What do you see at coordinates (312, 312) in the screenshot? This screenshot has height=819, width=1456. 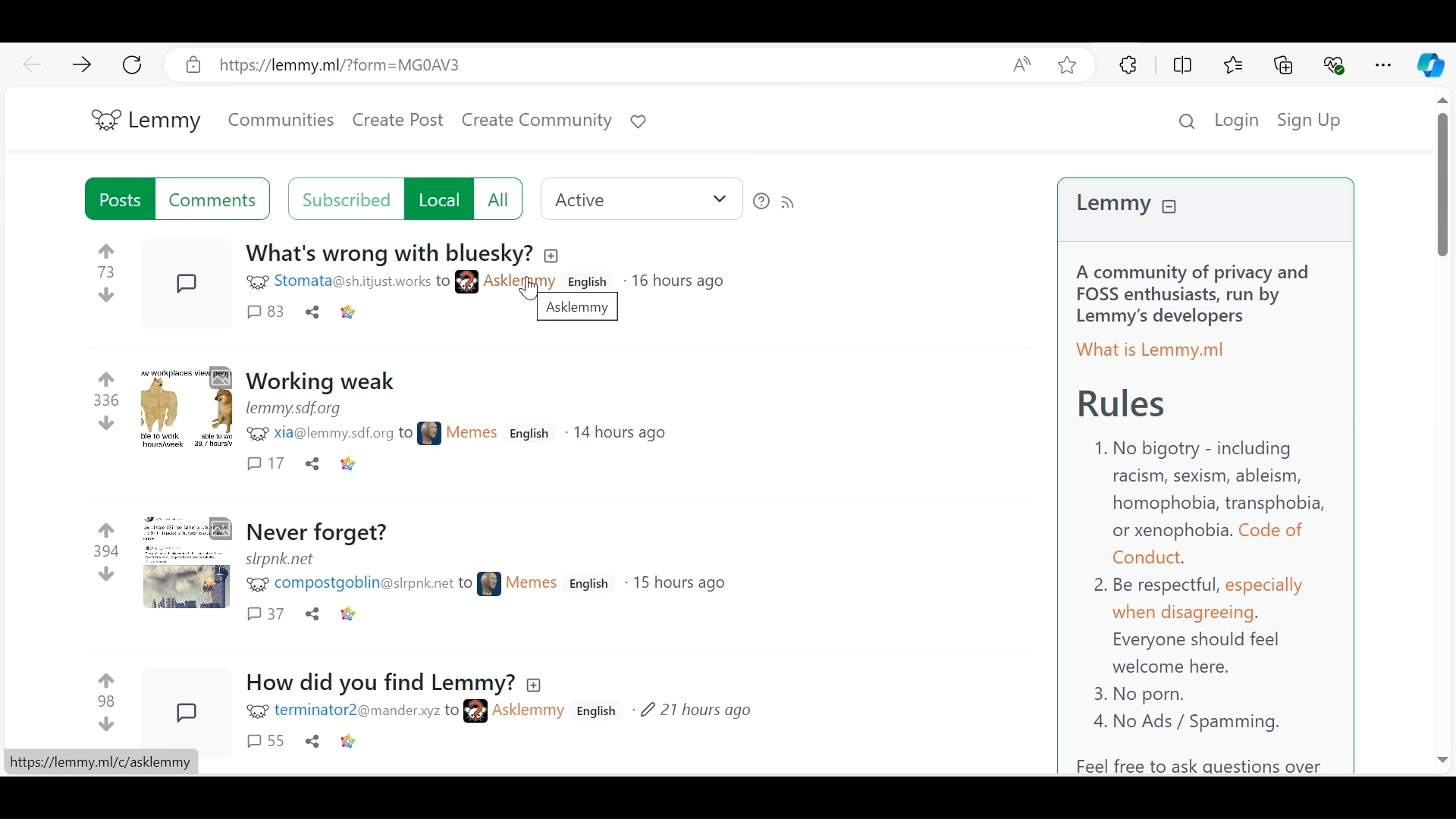 I see `Share` at bounding box center [312, 312].